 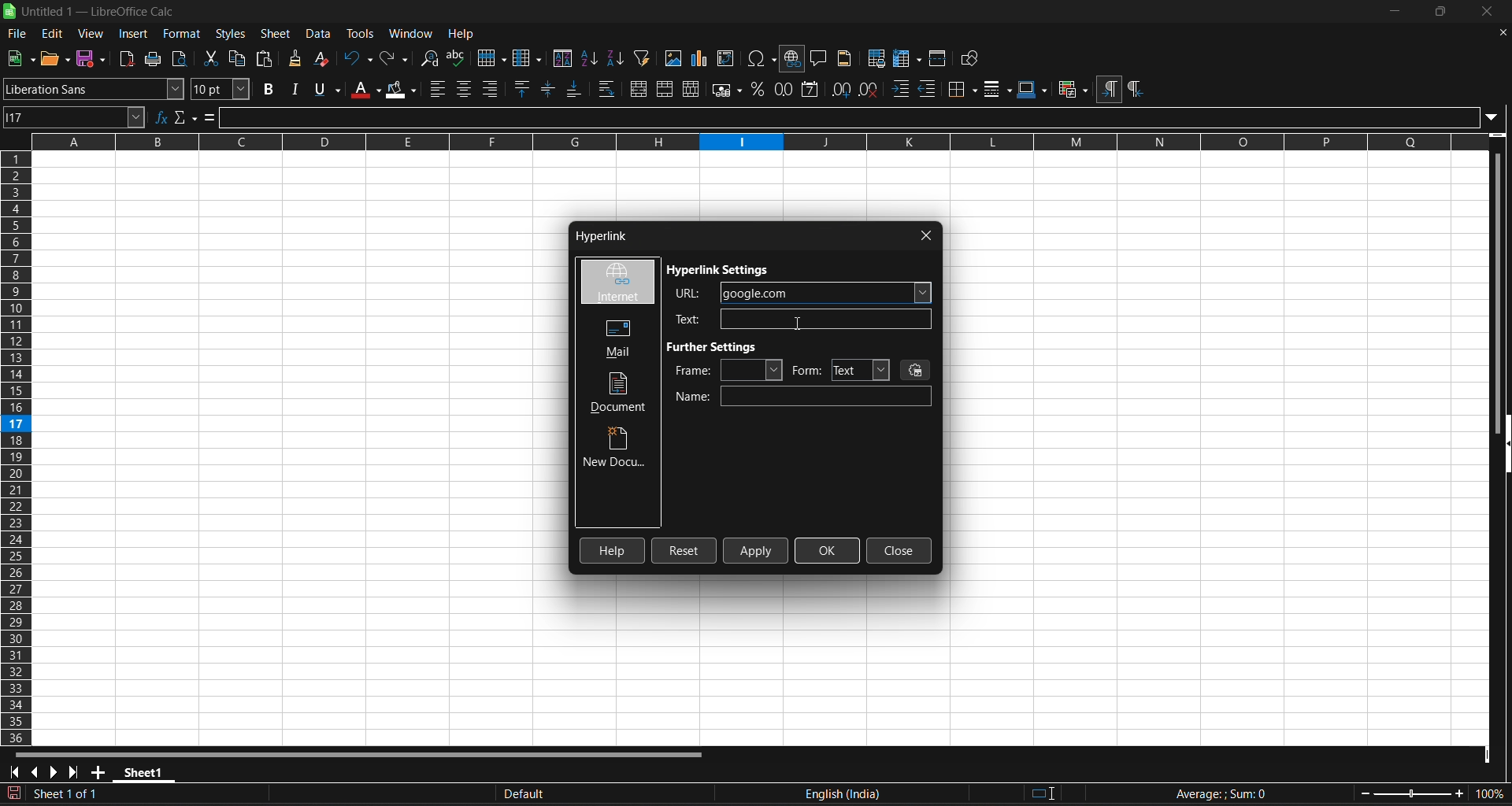 I want to click on format as date, so click(x=812, y=90).